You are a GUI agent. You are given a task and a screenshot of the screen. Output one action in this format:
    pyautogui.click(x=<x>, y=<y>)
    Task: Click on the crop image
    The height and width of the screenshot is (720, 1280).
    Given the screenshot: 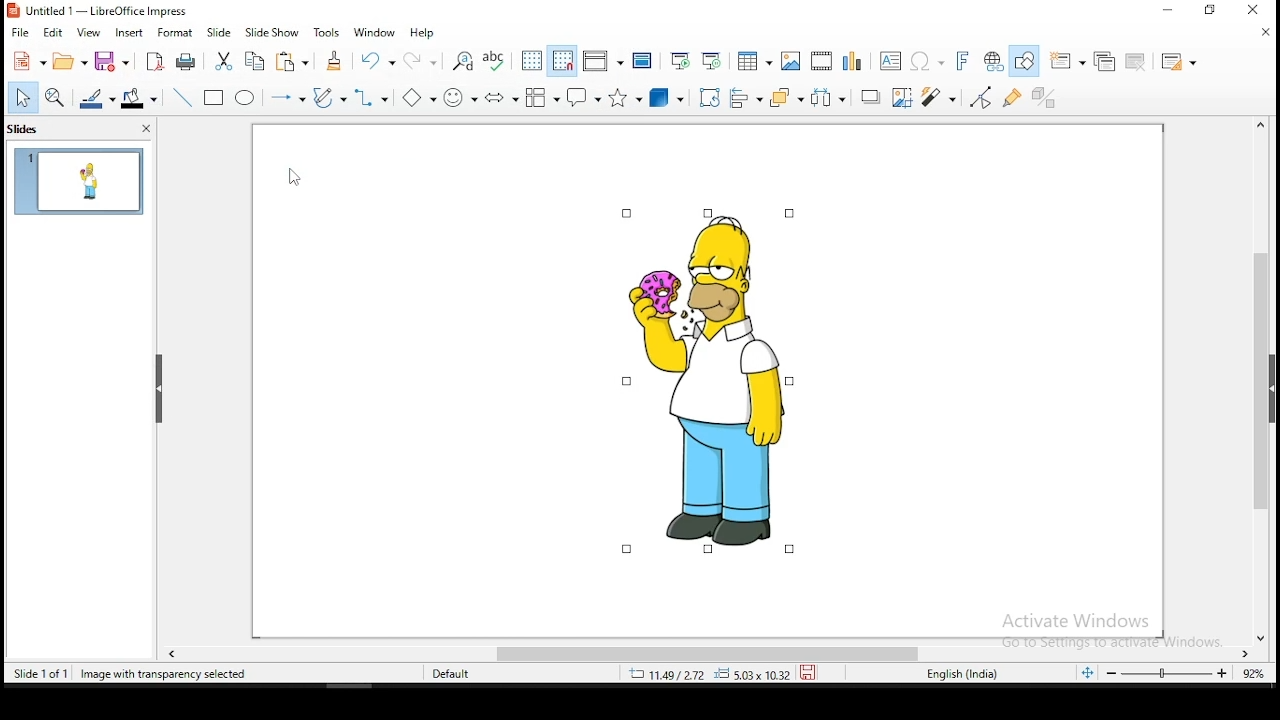 What is the action you would take?
    pyautogui.click(x=943, y=97)
    